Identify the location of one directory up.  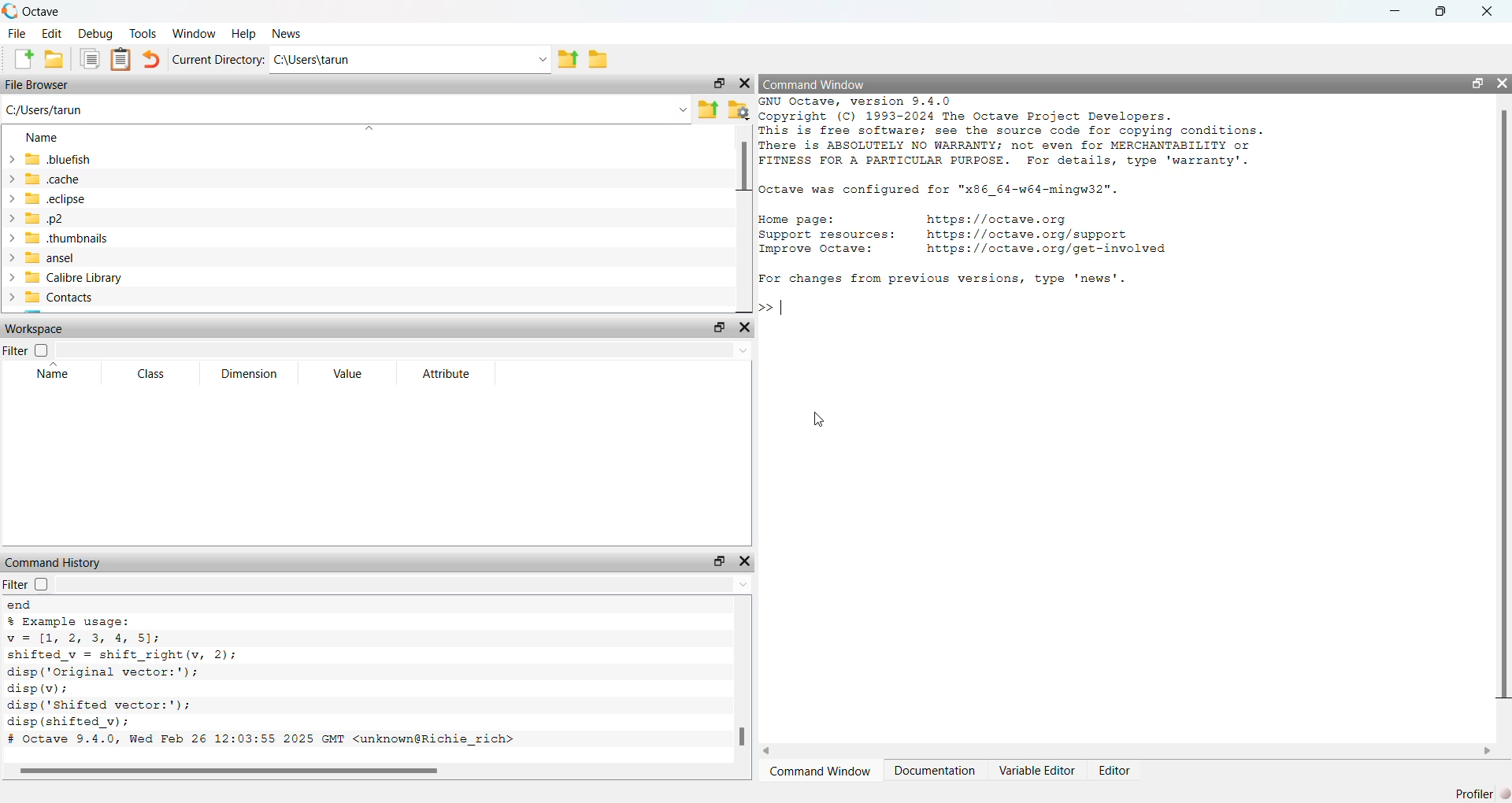
(708, 109).